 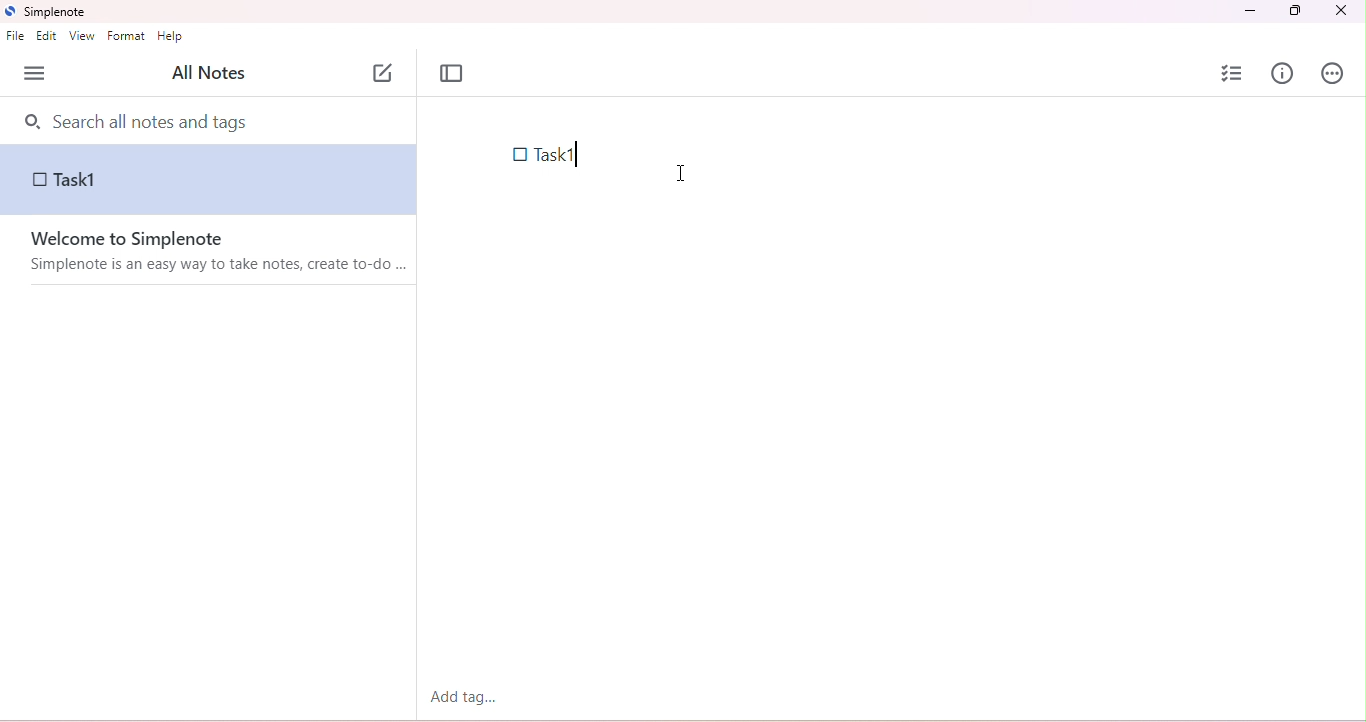 I want to click on insert checklist, so click(x=1234, y=73).